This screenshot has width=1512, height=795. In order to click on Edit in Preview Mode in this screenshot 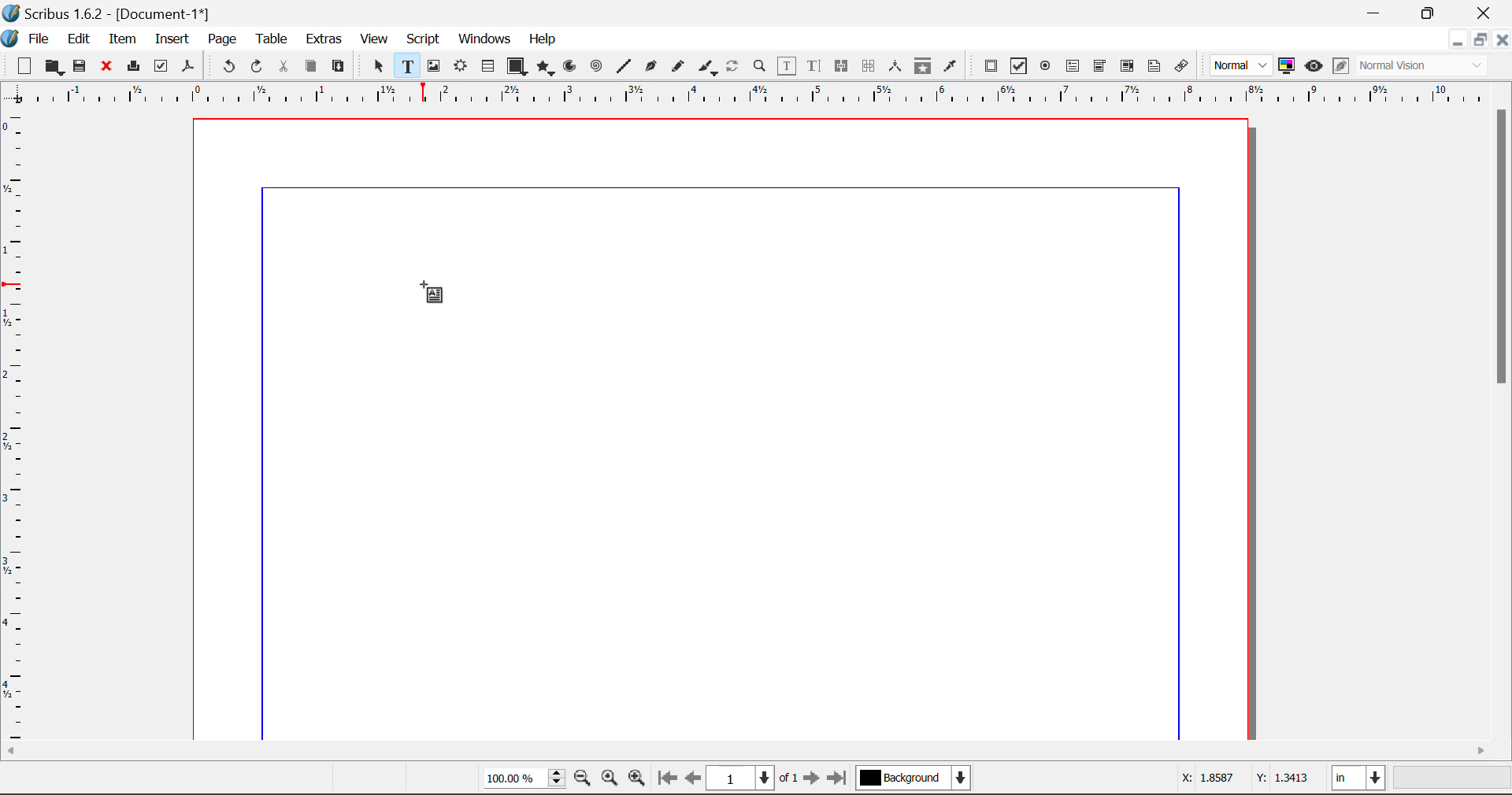, I will do `click(1340, 68)`.